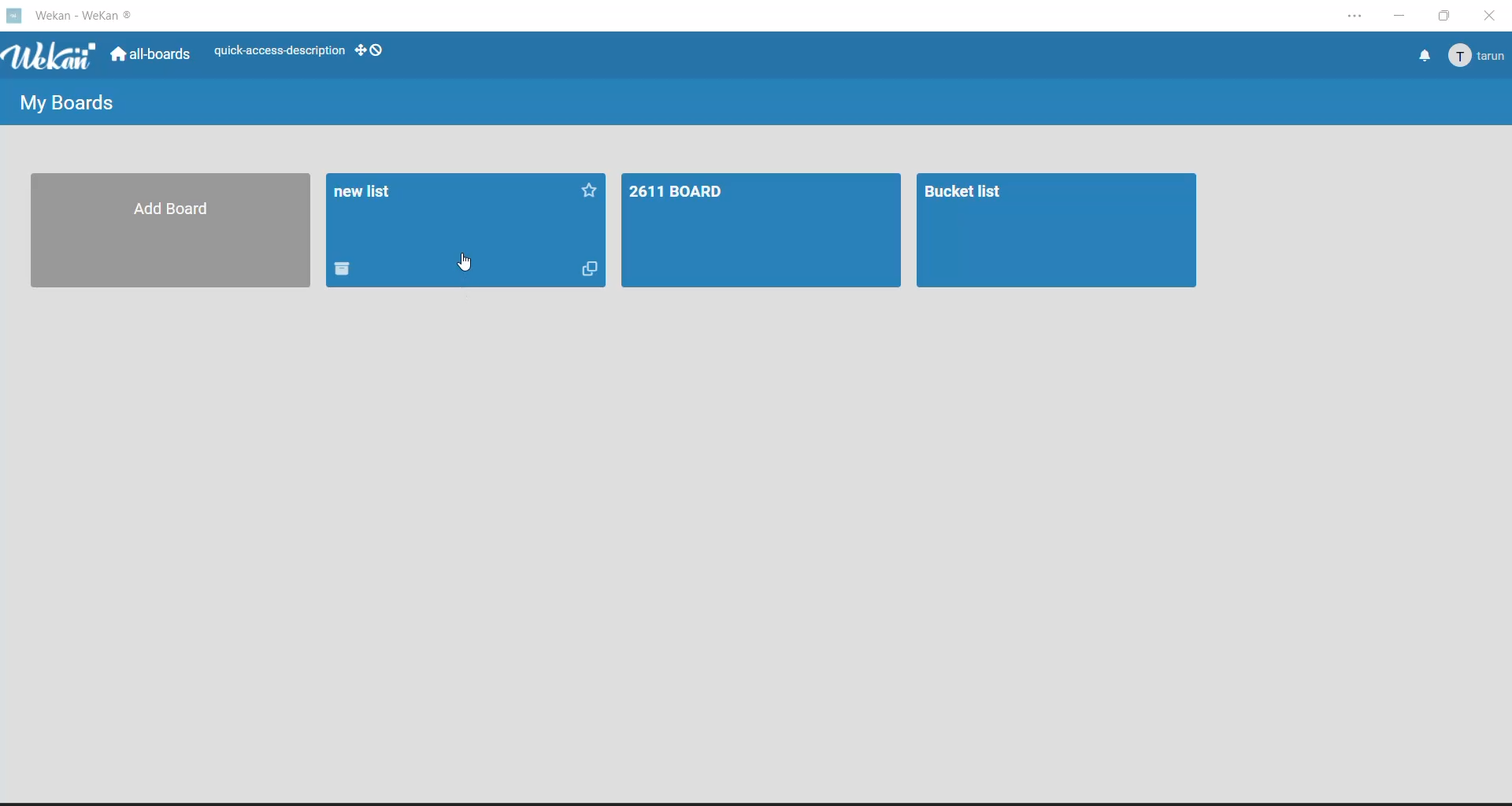 The image size is (1512, 806). Describe the element at coordinates (154, 57) in the screenshot. I see `all boards` at that location.